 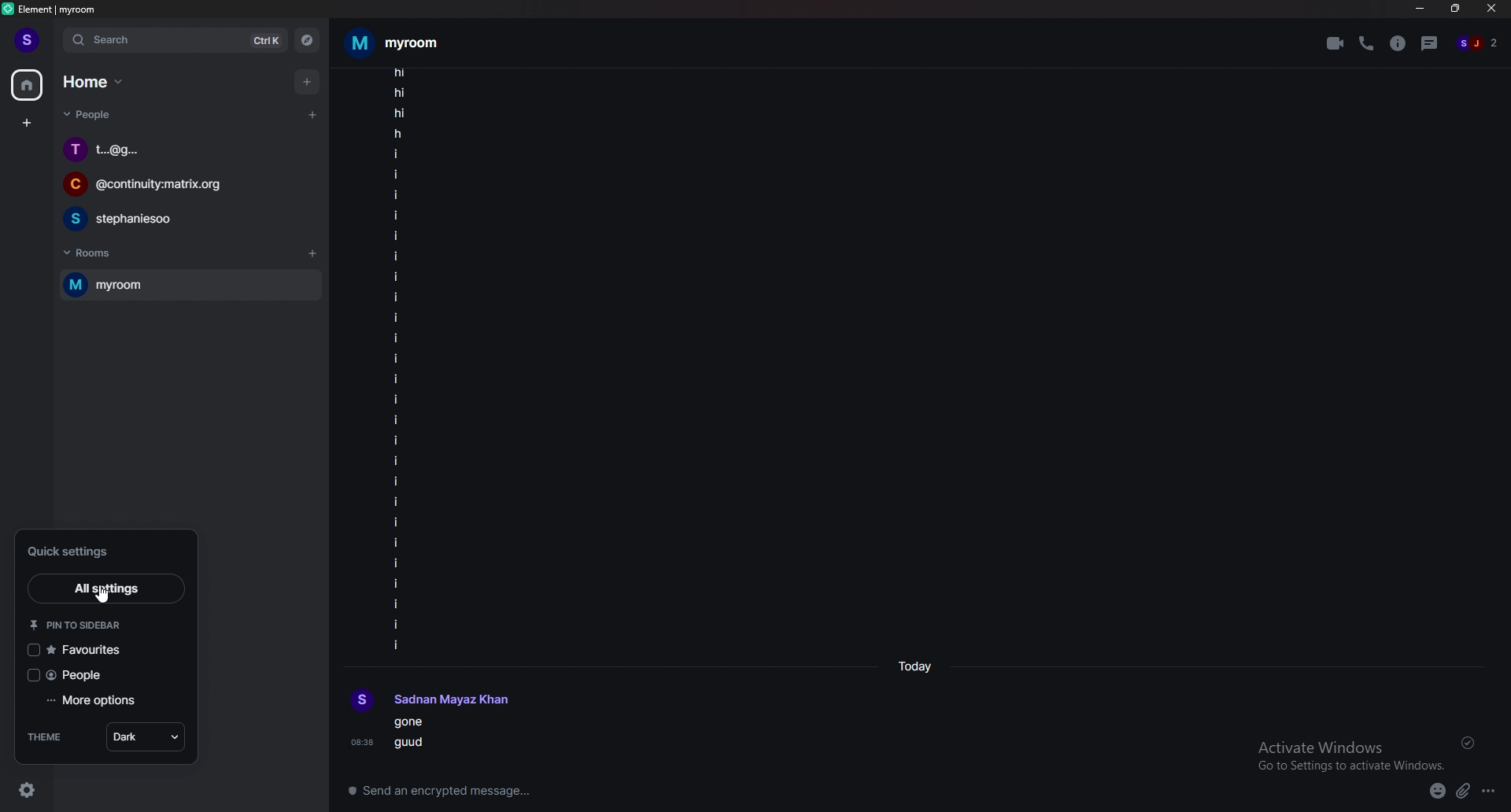 What do you see at coordinates (1430, 43) in the screenshot?
I see `thread` at bounding box center [1430, 43].